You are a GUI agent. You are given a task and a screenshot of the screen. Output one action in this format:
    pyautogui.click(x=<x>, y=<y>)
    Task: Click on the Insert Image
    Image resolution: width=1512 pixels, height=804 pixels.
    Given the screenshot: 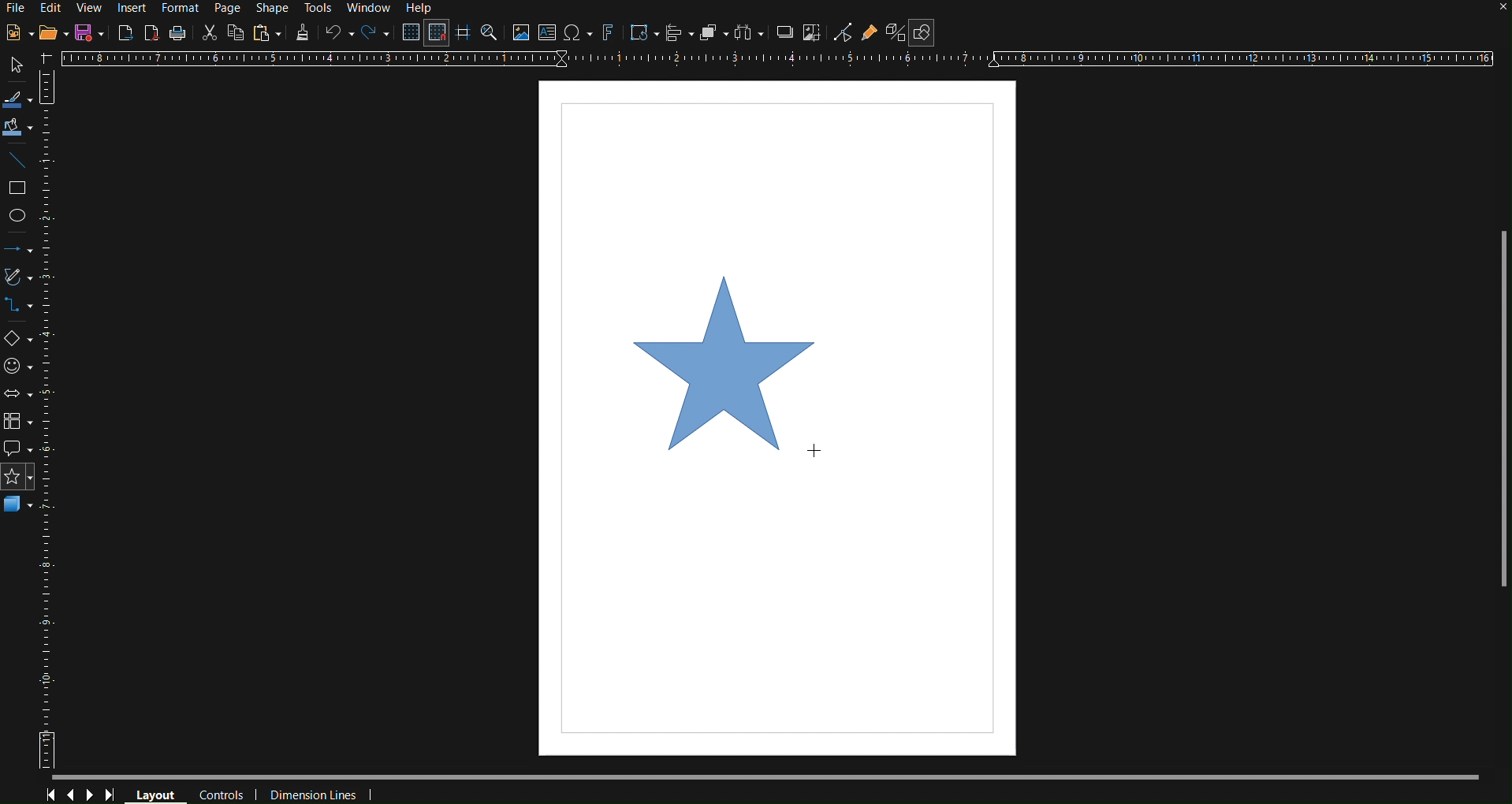 What is the action you would take?
    pyautogui.click(x=521, y=35)
    